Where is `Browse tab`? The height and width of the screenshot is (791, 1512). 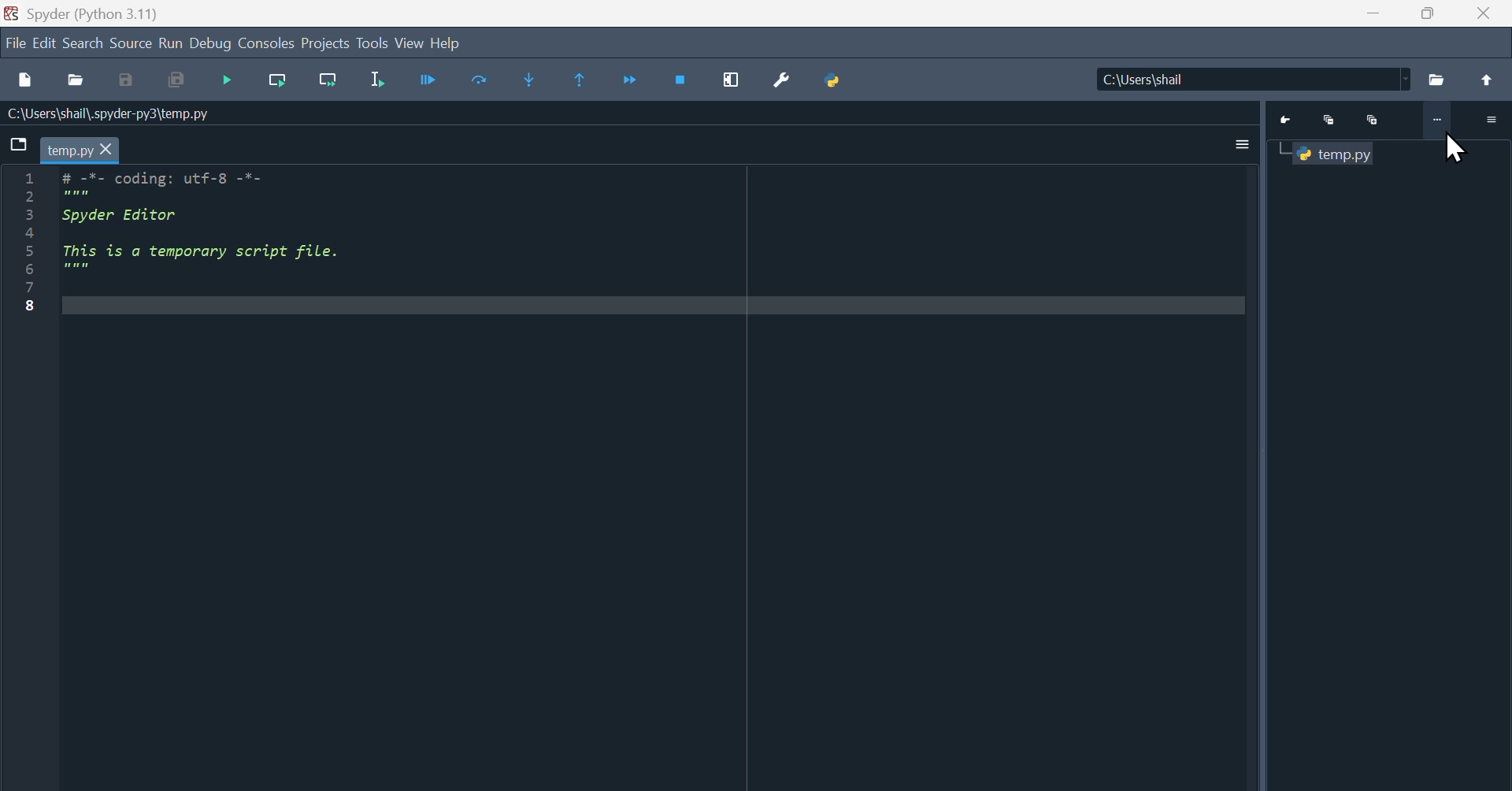 Browse tab is located at coordinates (19, 143).